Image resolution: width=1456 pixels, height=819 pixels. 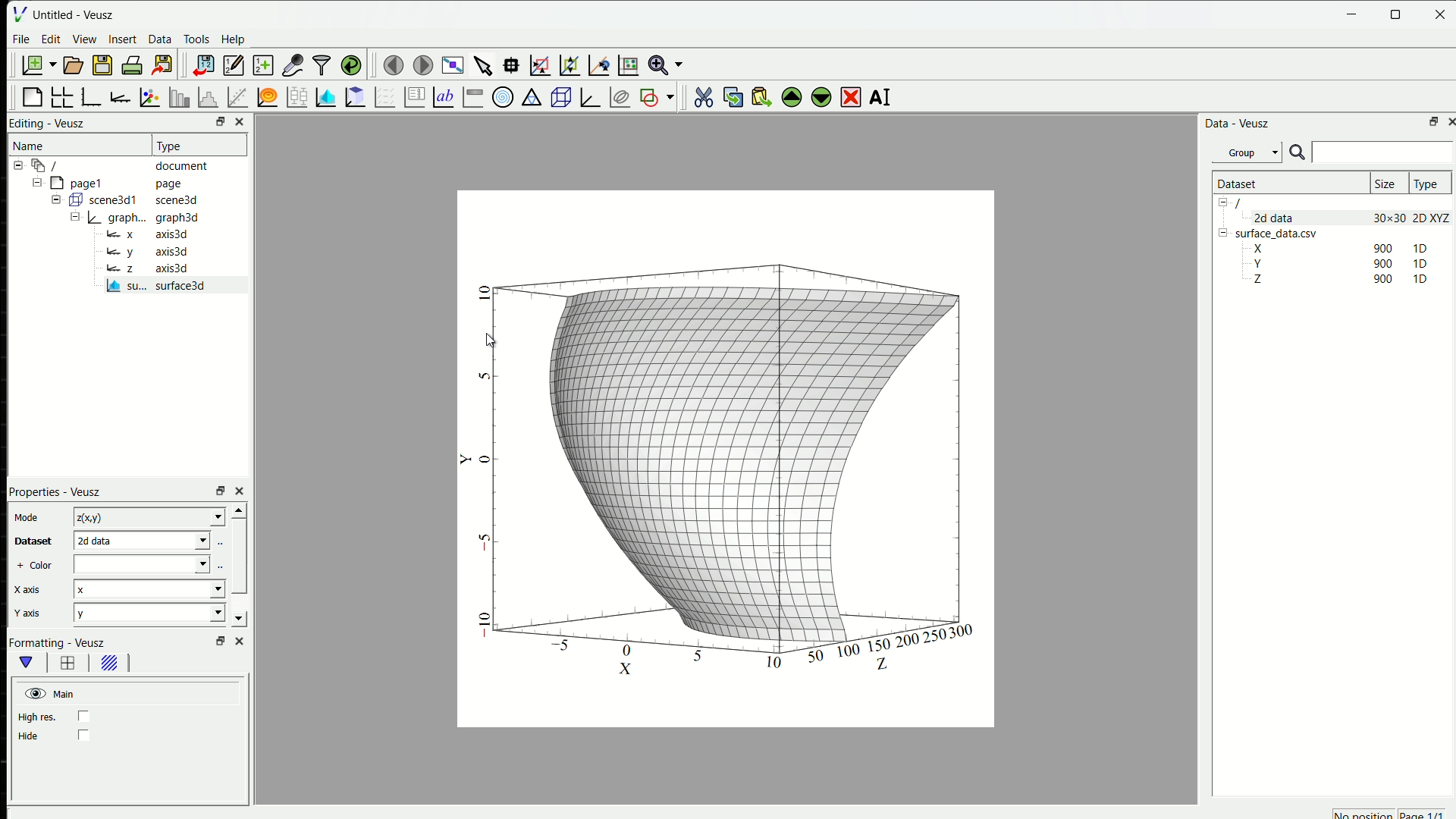 What do you see at coordinates (629, 65) in the screenshot?
I see `click to reset graph axis` at bounding box center [629, 65].